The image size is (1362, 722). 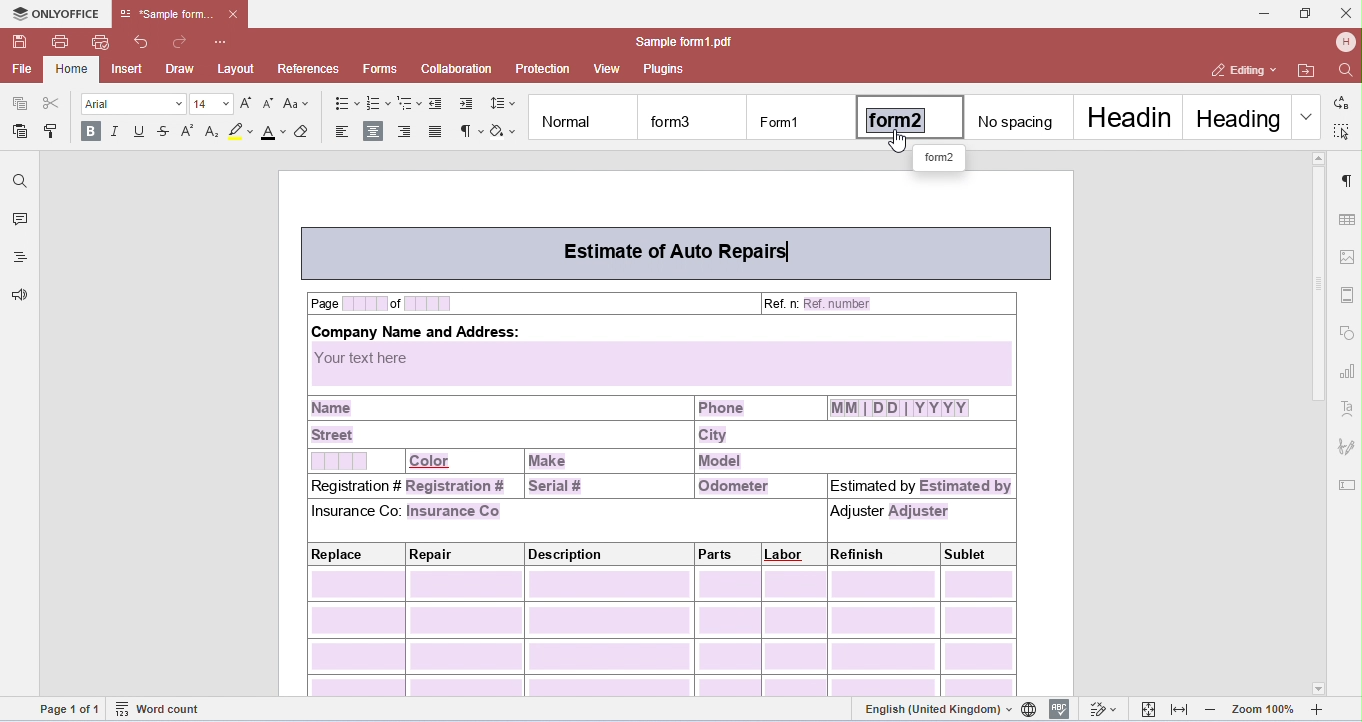 I want to click on subscript, so click(x=214, y=132).